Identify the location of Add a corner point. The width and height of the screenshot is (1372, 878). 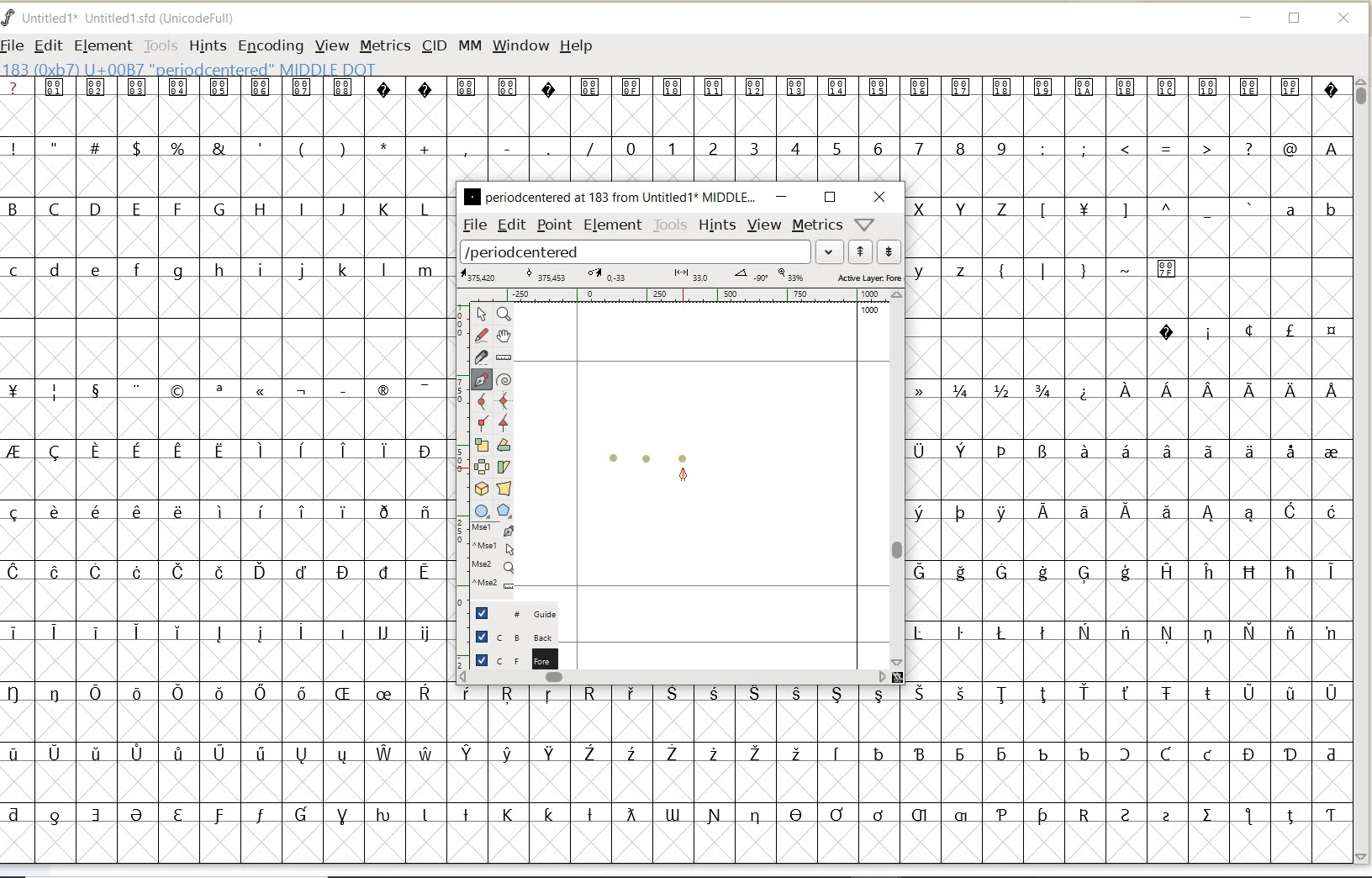
(504, 421).